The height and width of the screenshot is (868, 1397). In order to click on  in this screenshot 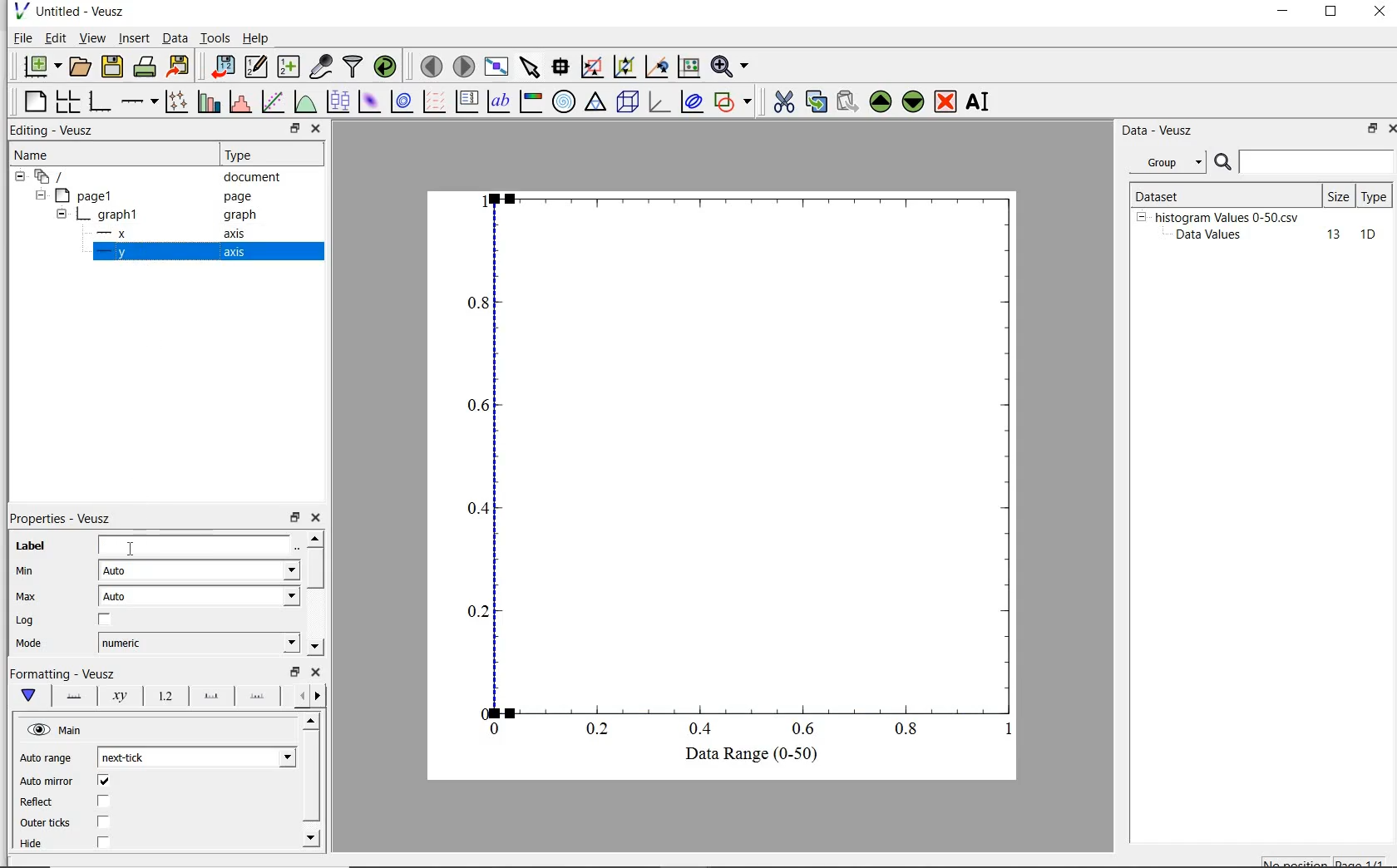, I will do `click(241, 215)`.